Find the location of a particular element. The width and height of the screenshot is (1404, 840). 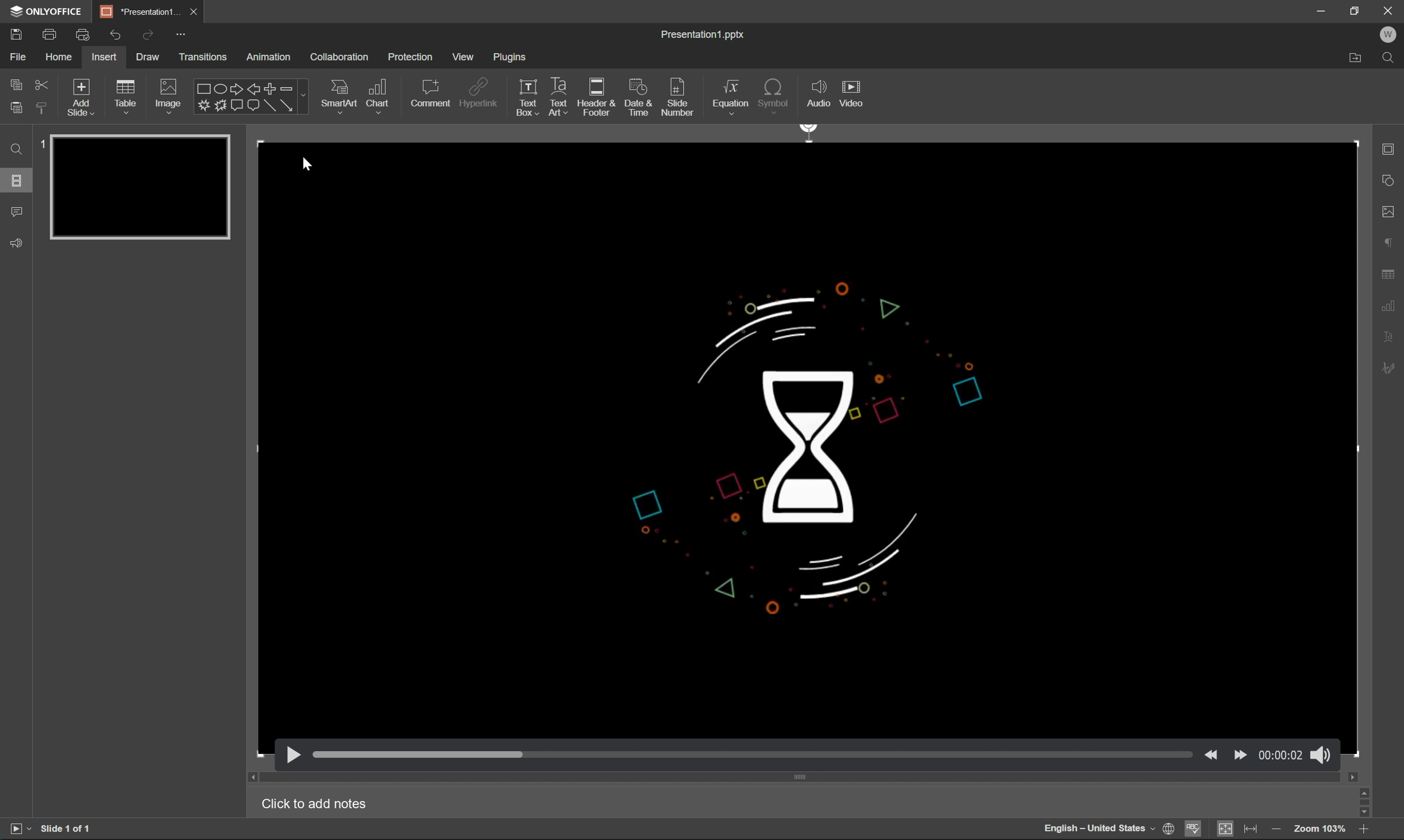

collaboration is located at coordinates (341, 57).